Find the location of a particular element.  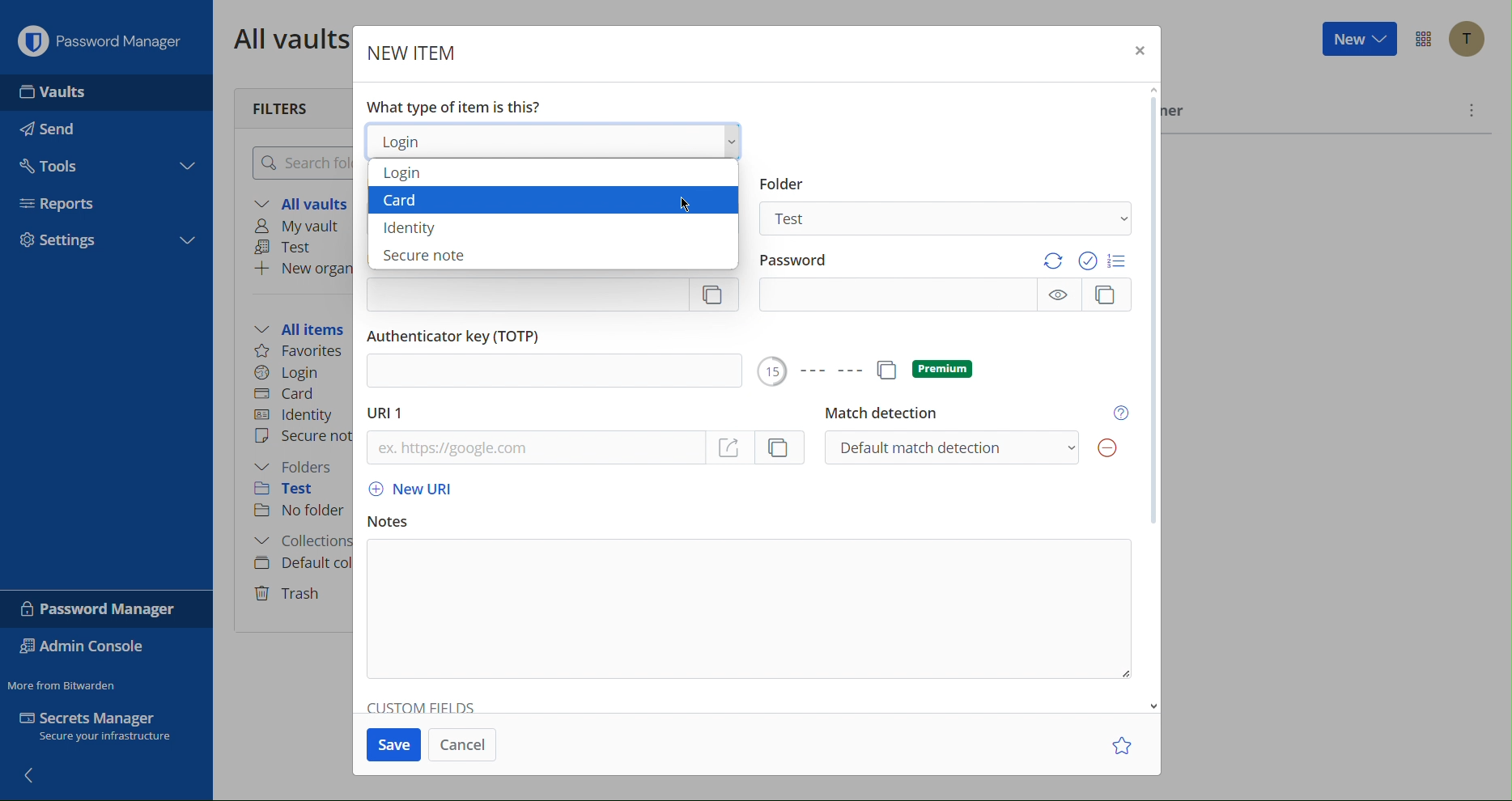

Login is located at coordinates (554, 142).